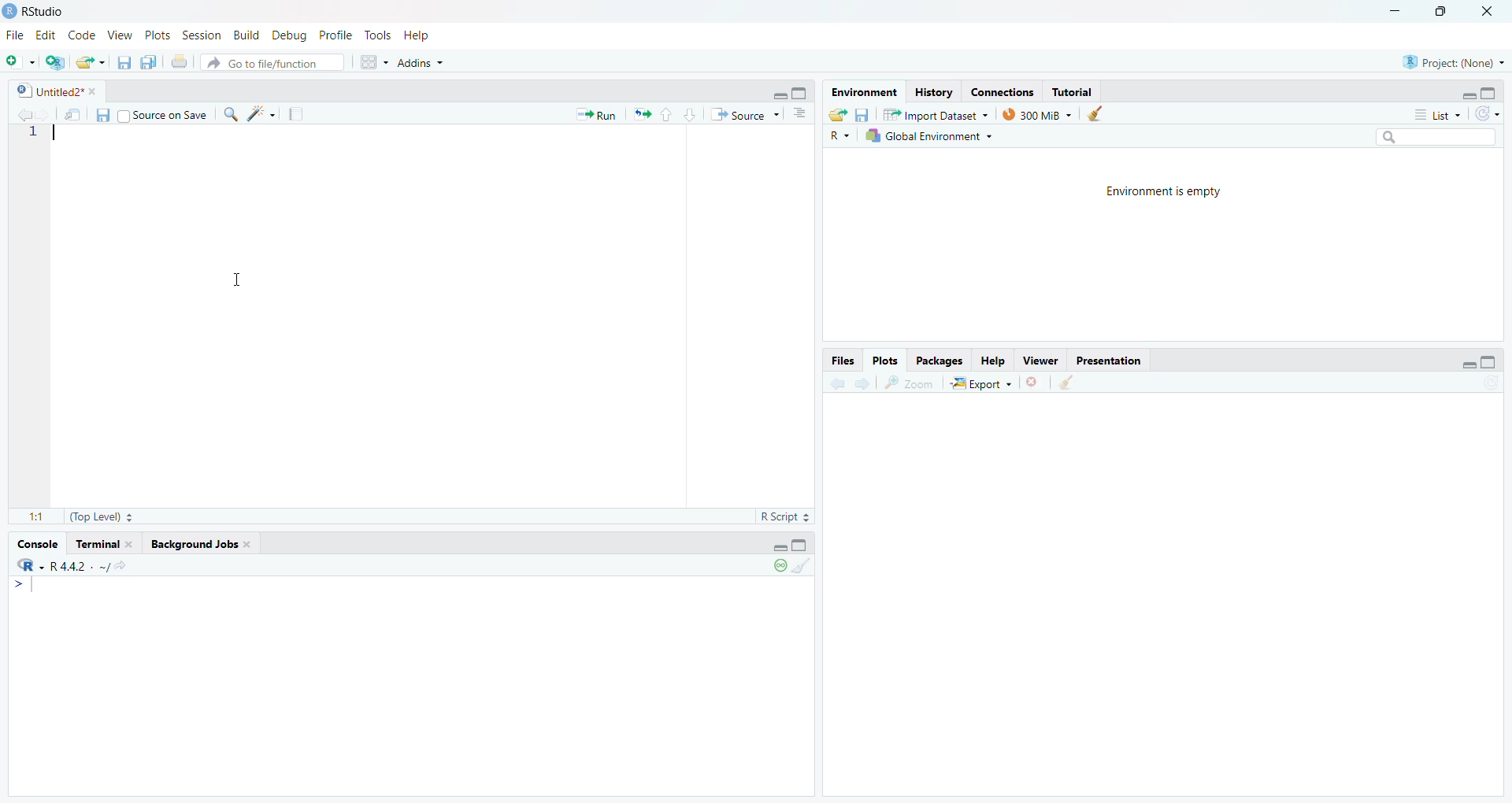 The width and height of the screenshot is (1512, 803). Describe the element at coordinates (1003, 89) in the screenshot. I see `Eades` at that location.